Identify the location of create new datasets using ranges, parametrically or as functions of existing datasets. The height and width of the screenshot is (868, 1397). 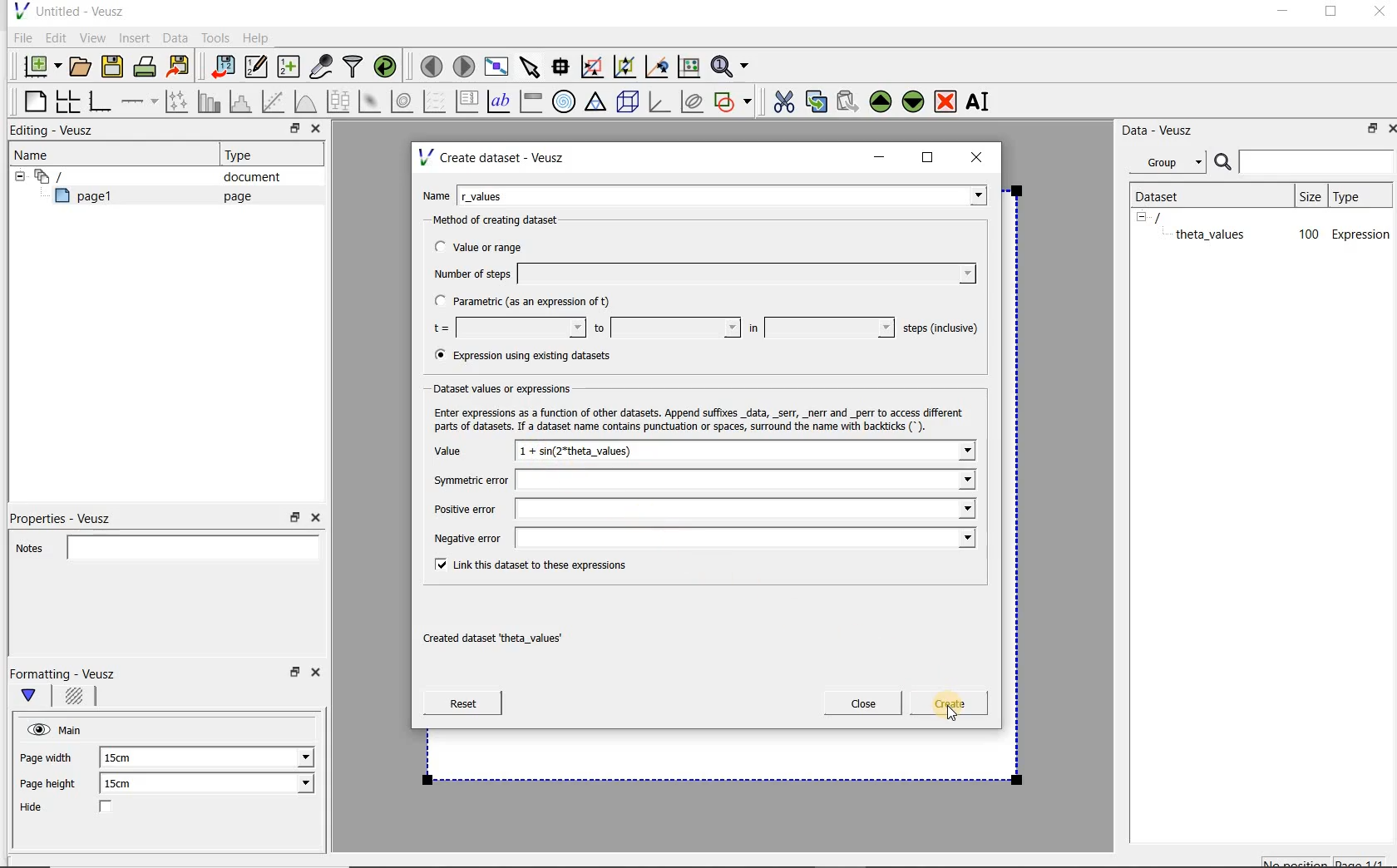
(289, 67).